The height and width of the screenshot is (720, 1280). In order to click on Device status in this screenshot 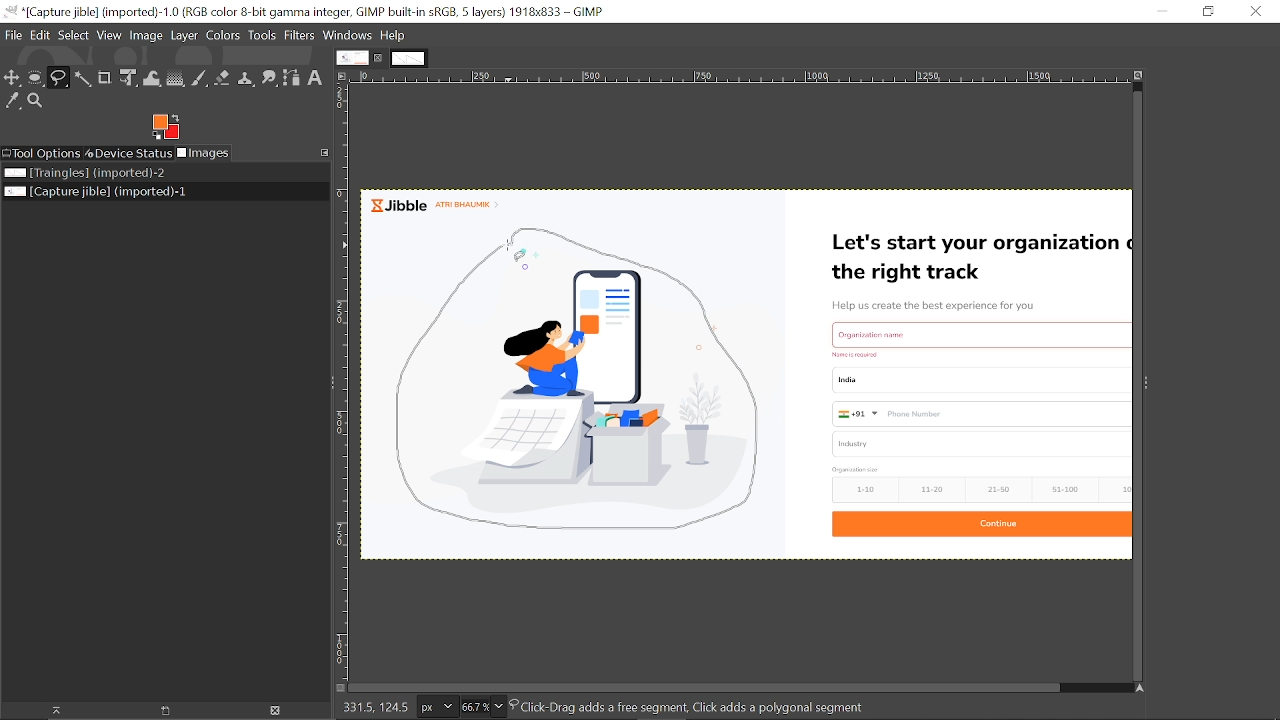, I will do `click(128, 153)`.